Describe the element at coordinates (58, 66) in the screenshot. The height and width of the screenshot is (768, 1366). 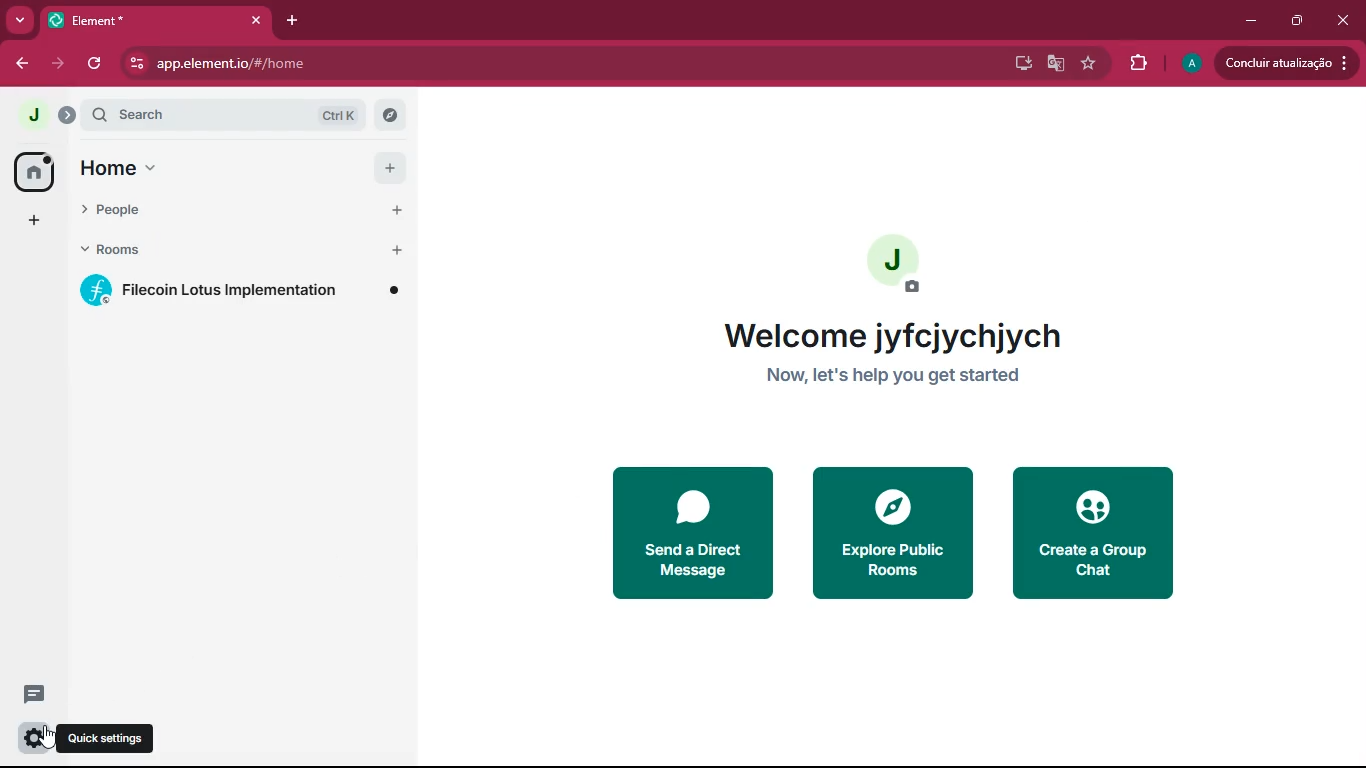
I see `forward` at that location.